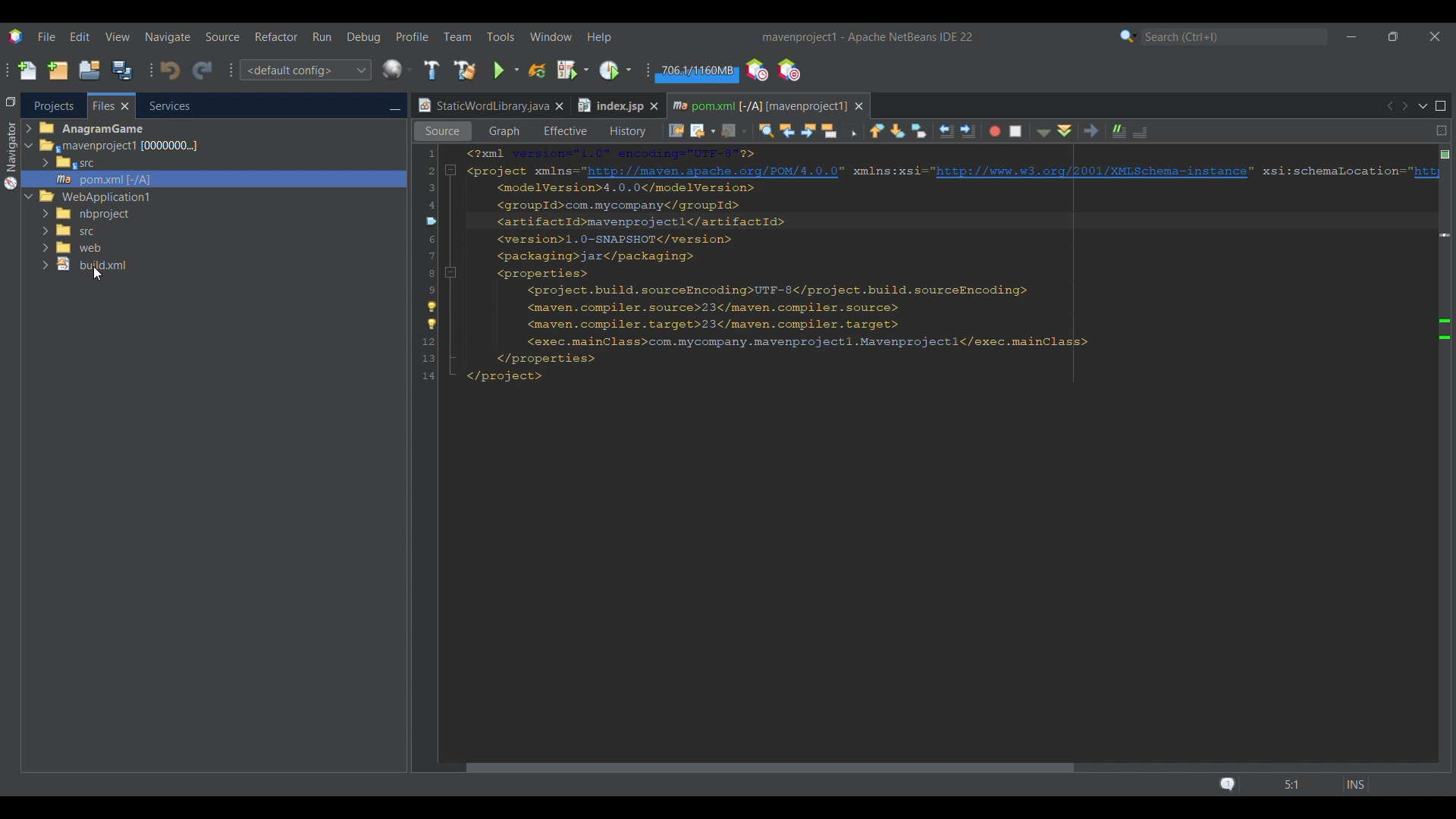  What do you see at coordinates (107, 165) in the screenshot?
I see `Options under Files tab` at bounding box center [107, 165].